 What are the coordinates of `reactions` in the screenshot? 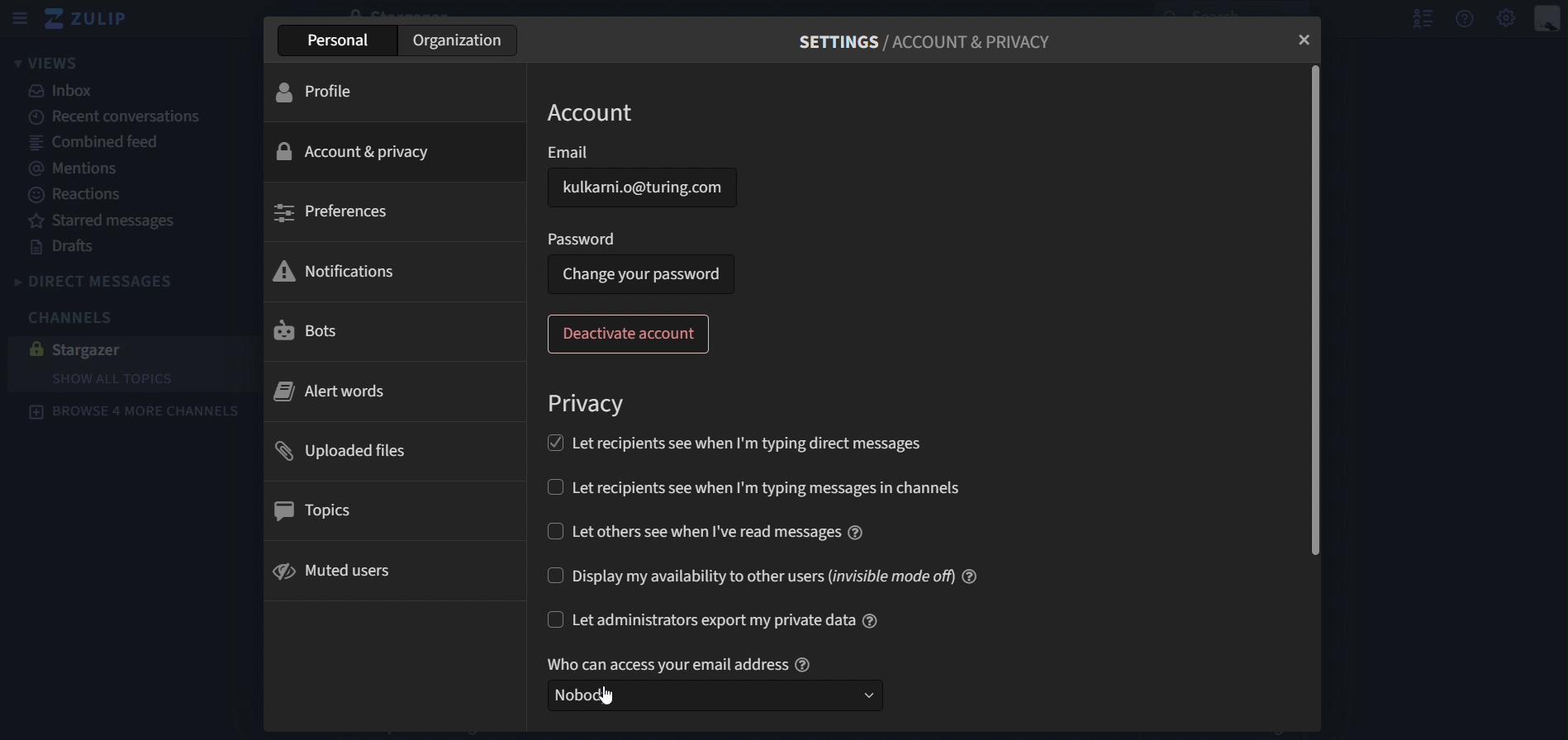 It's located at (76, 196).